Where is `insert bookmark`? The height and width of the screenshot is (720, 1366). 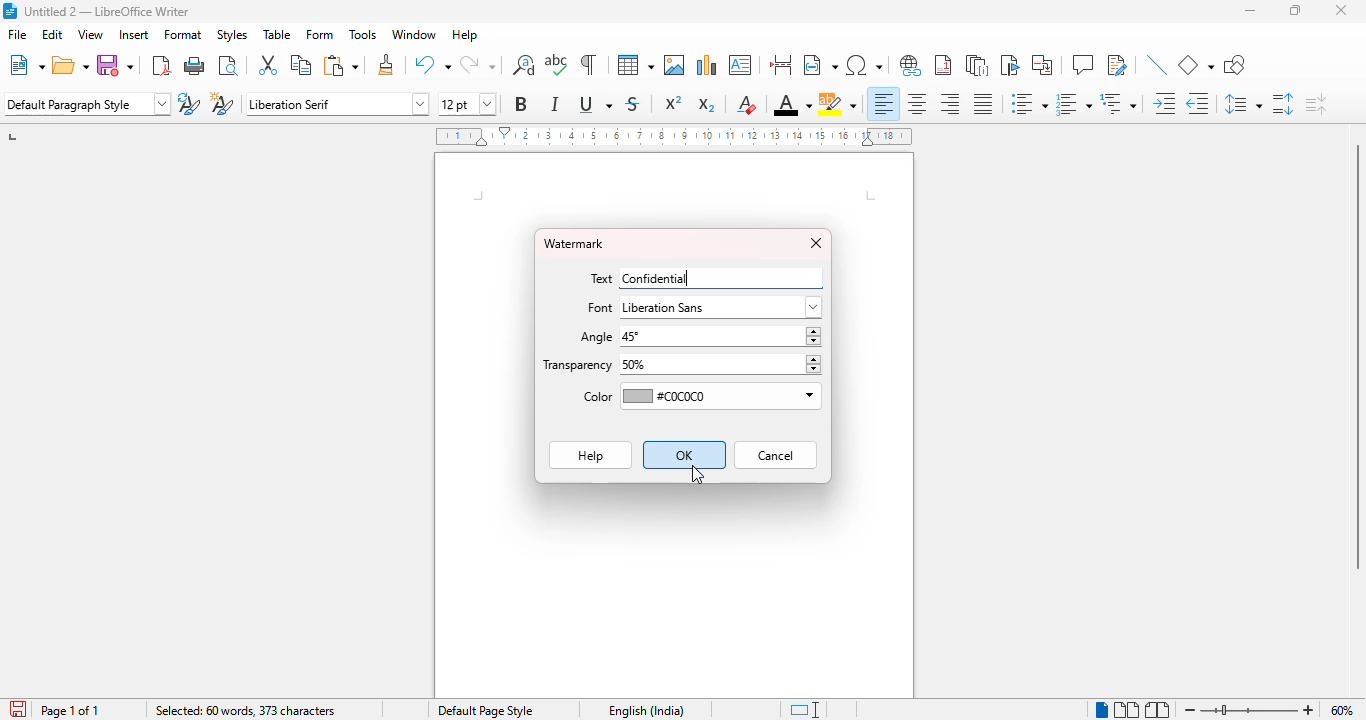 insert bookmark is located at coordinates (1009, 65).